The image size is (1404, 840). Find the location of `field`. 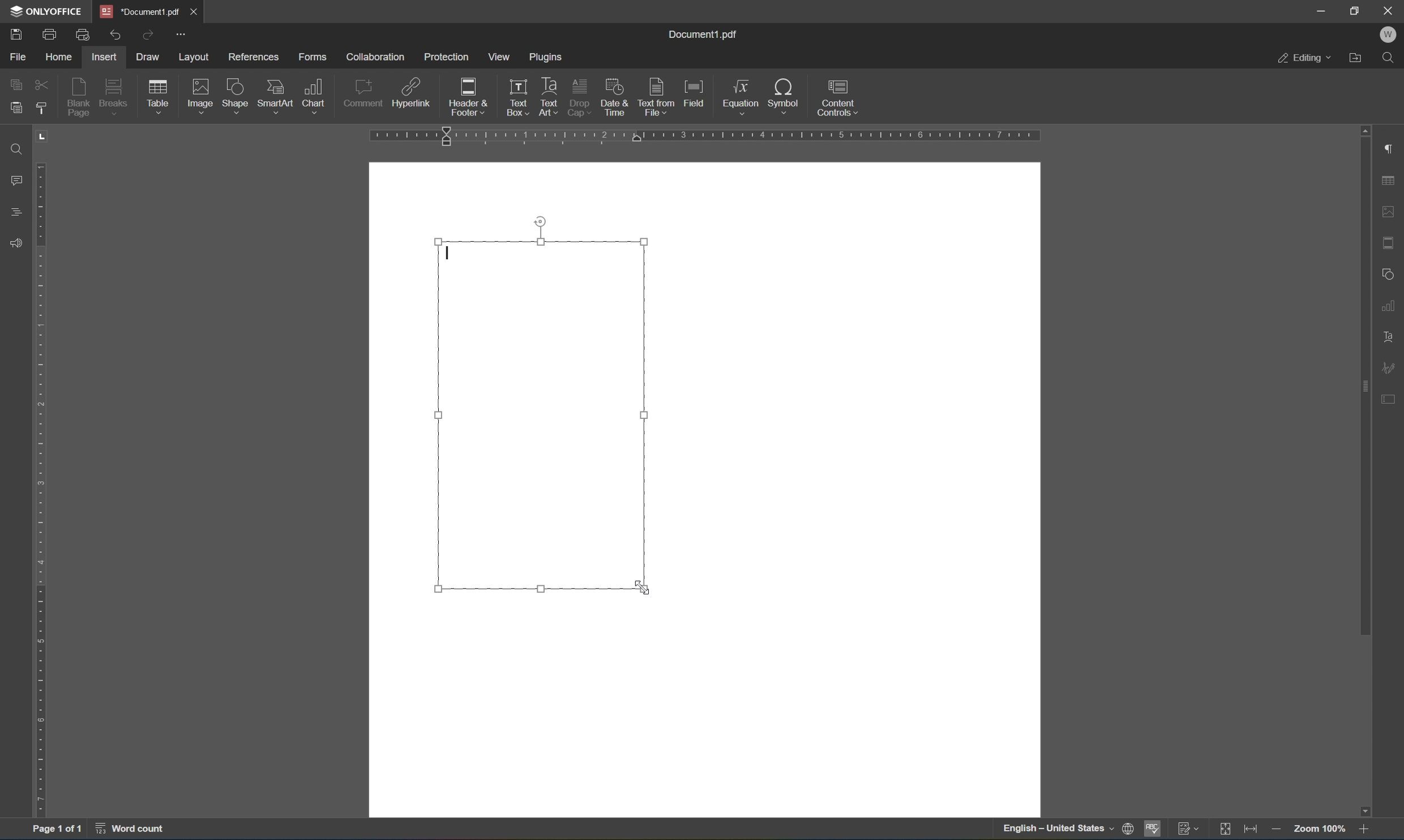

field is located at coordinates (695, 93).